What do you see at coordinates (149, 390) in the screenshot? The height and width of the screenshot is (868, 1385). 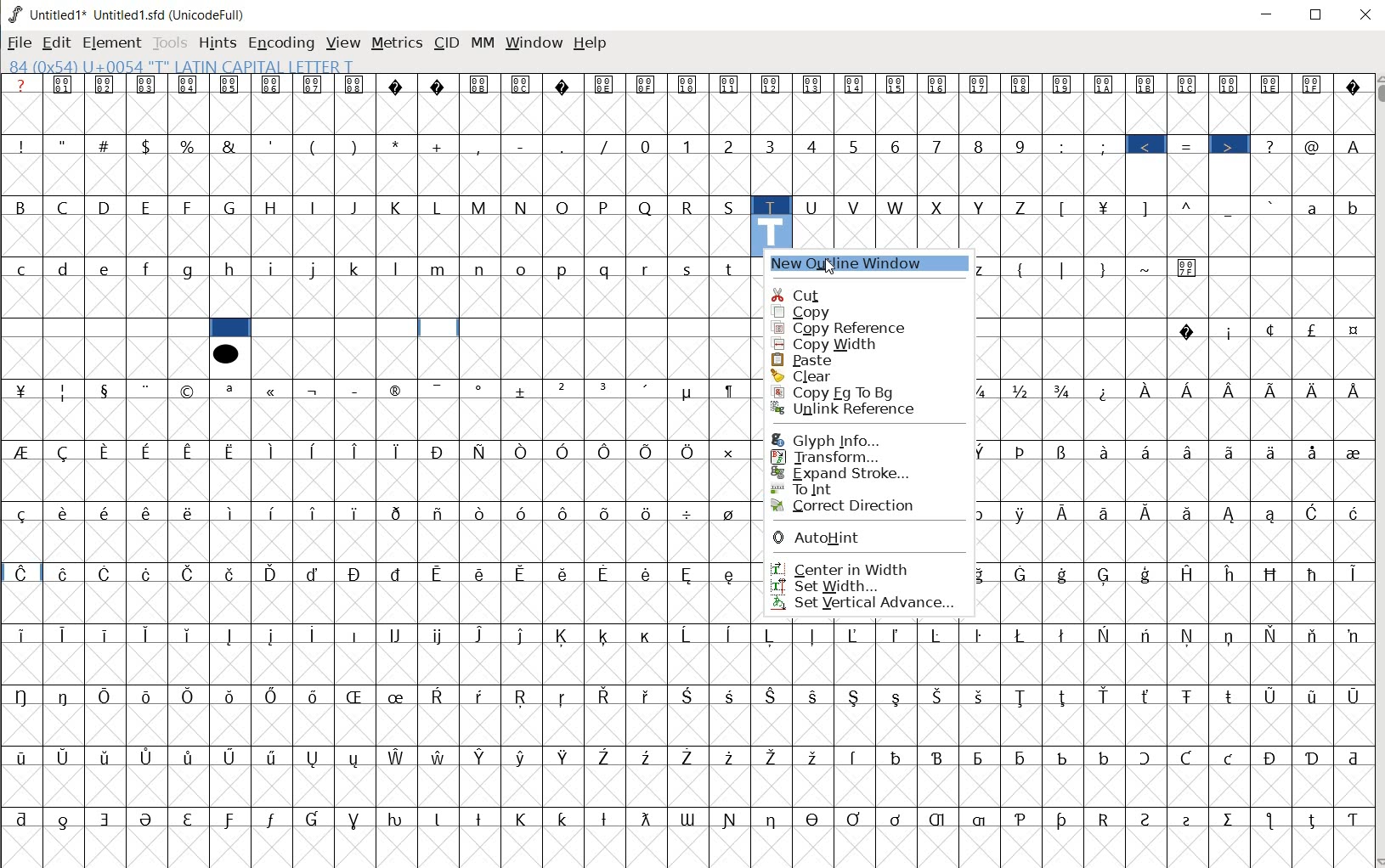 I see `Symbol` at bounding box center [149, 390].